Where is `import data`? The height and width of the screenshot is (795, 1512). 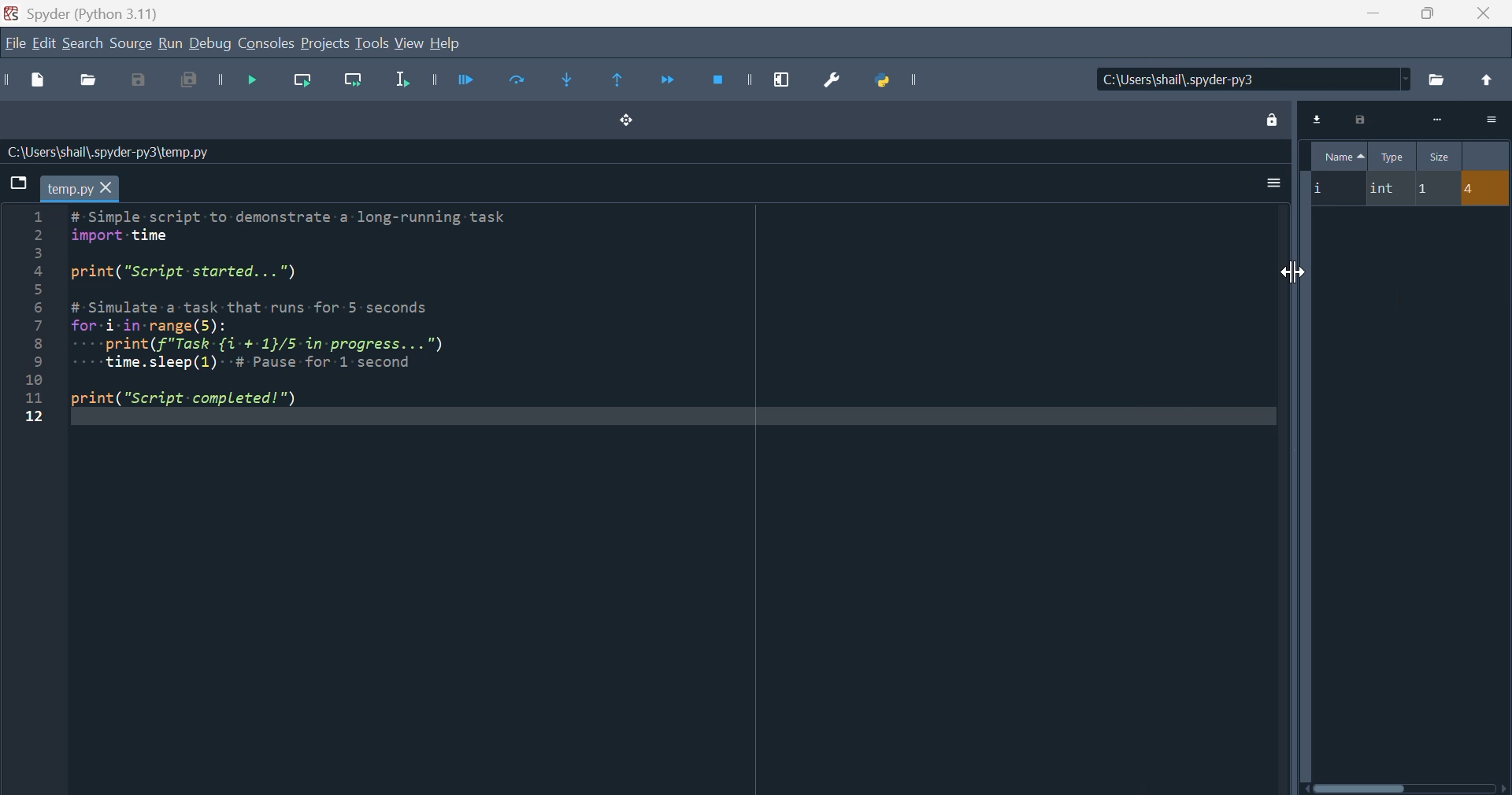 import data is located at coordinates (1316, 120).